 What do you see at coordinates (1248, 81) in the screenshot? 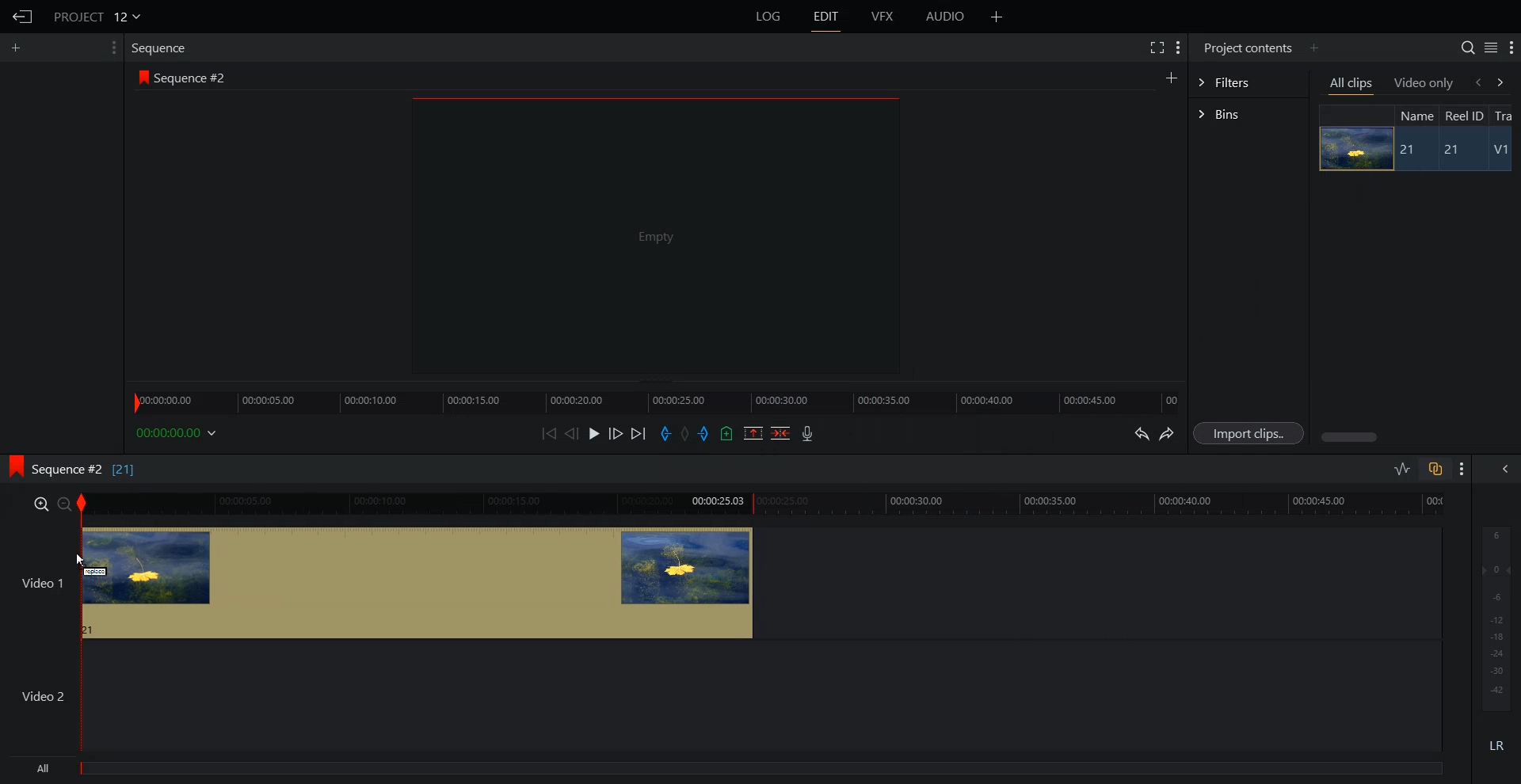
I see `Filters` at bounding box center [1248, 81].